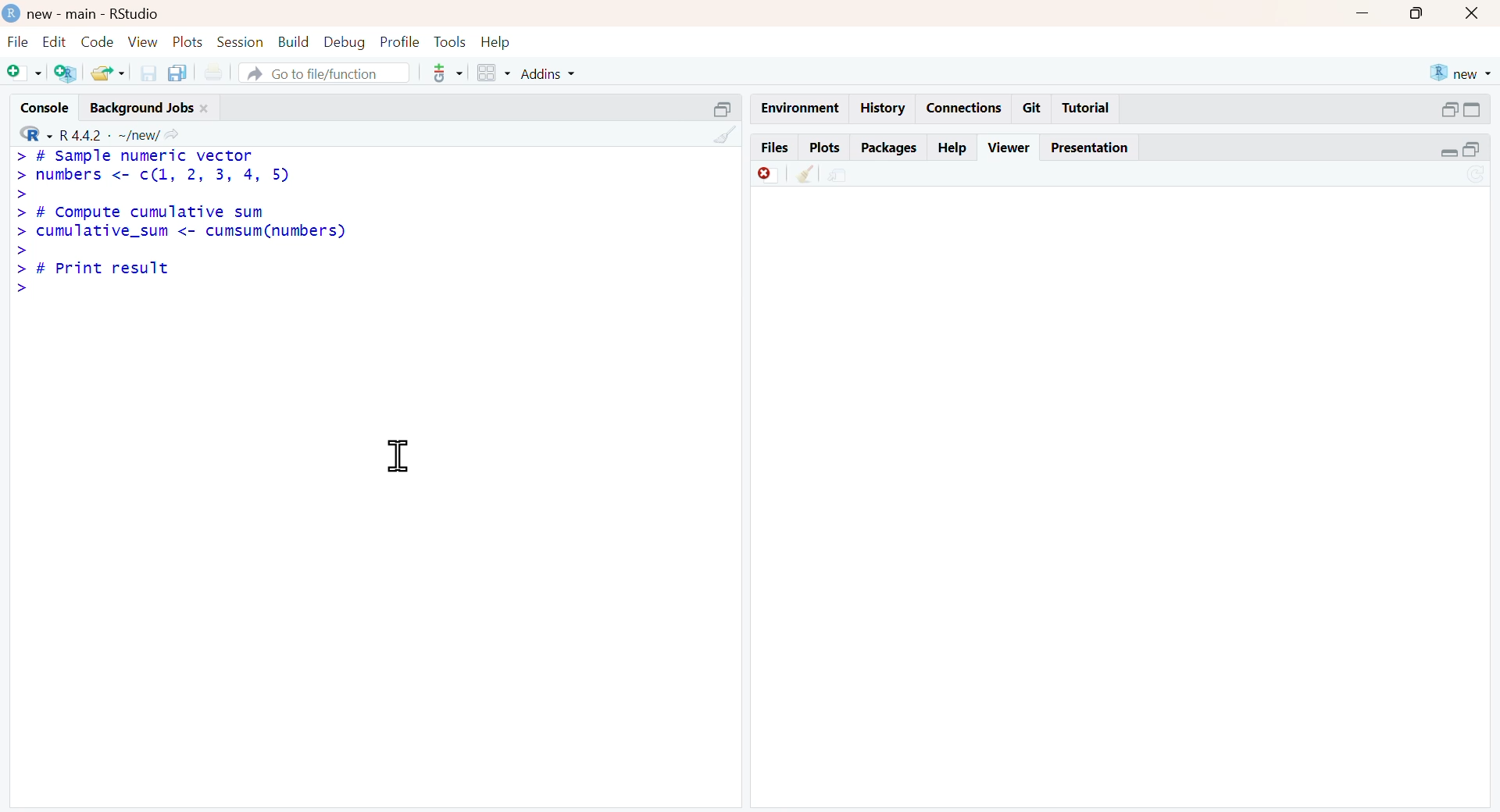 The width and height of the screenshot is (1500, 812). Describe the element at coordinates (891, 148) in the screenshot. I see `Packages` at that location.